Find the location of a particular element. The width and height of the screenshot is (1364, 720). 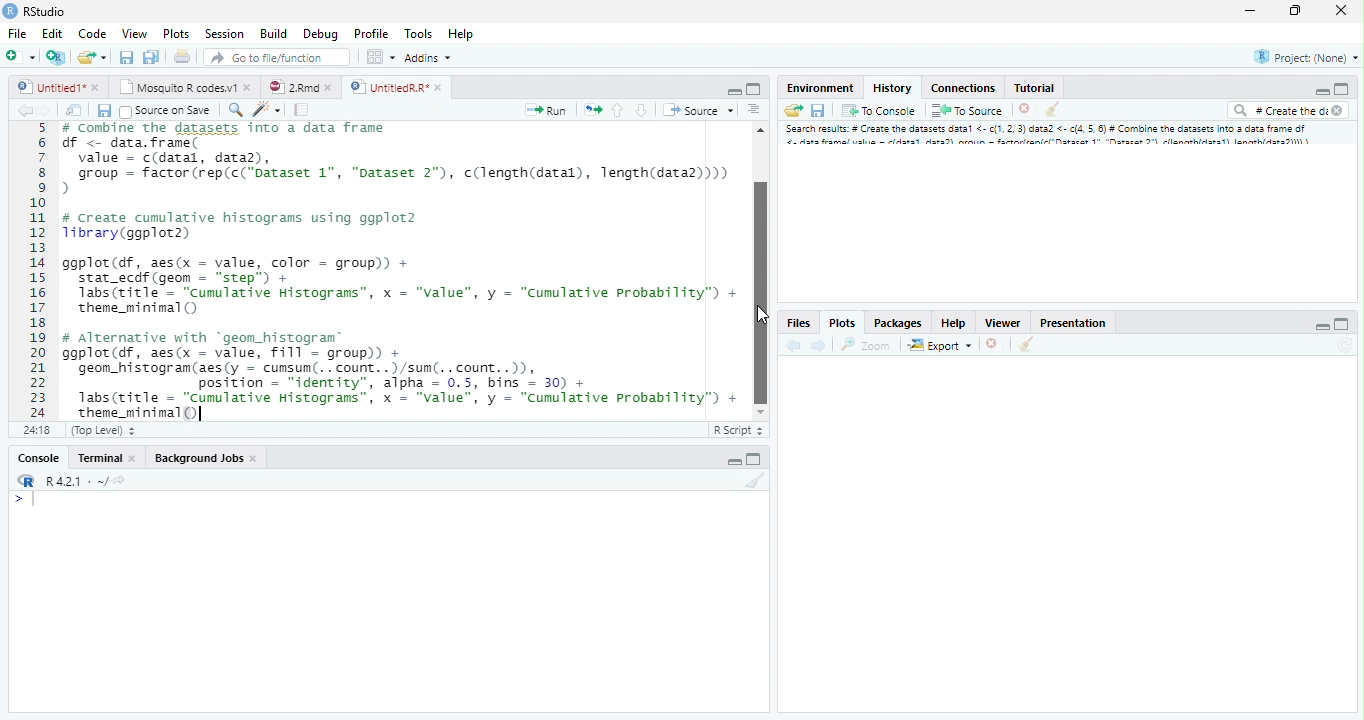

R.4.2.1 is located at coordinates (65, 481).